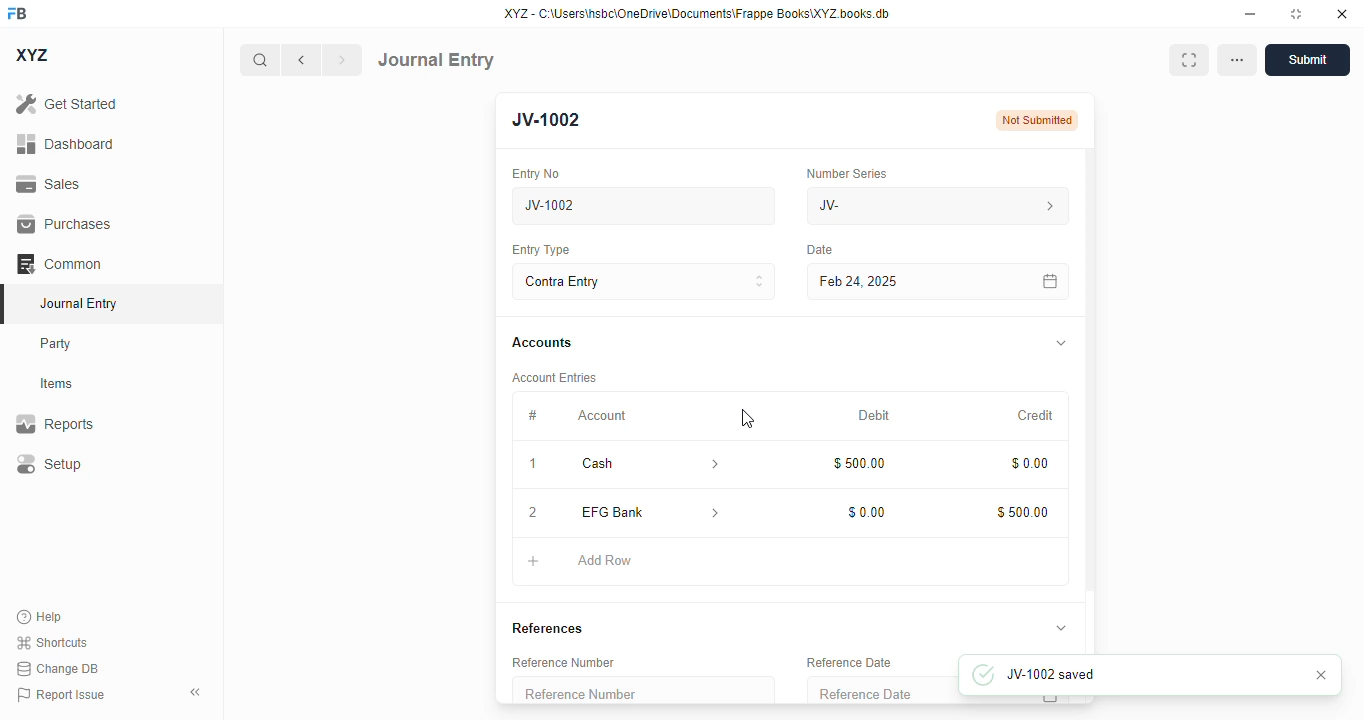  What do you see at coordinates (868, 512) in the screenshot?
I see `$0.00` at bounding box center [868, 512].